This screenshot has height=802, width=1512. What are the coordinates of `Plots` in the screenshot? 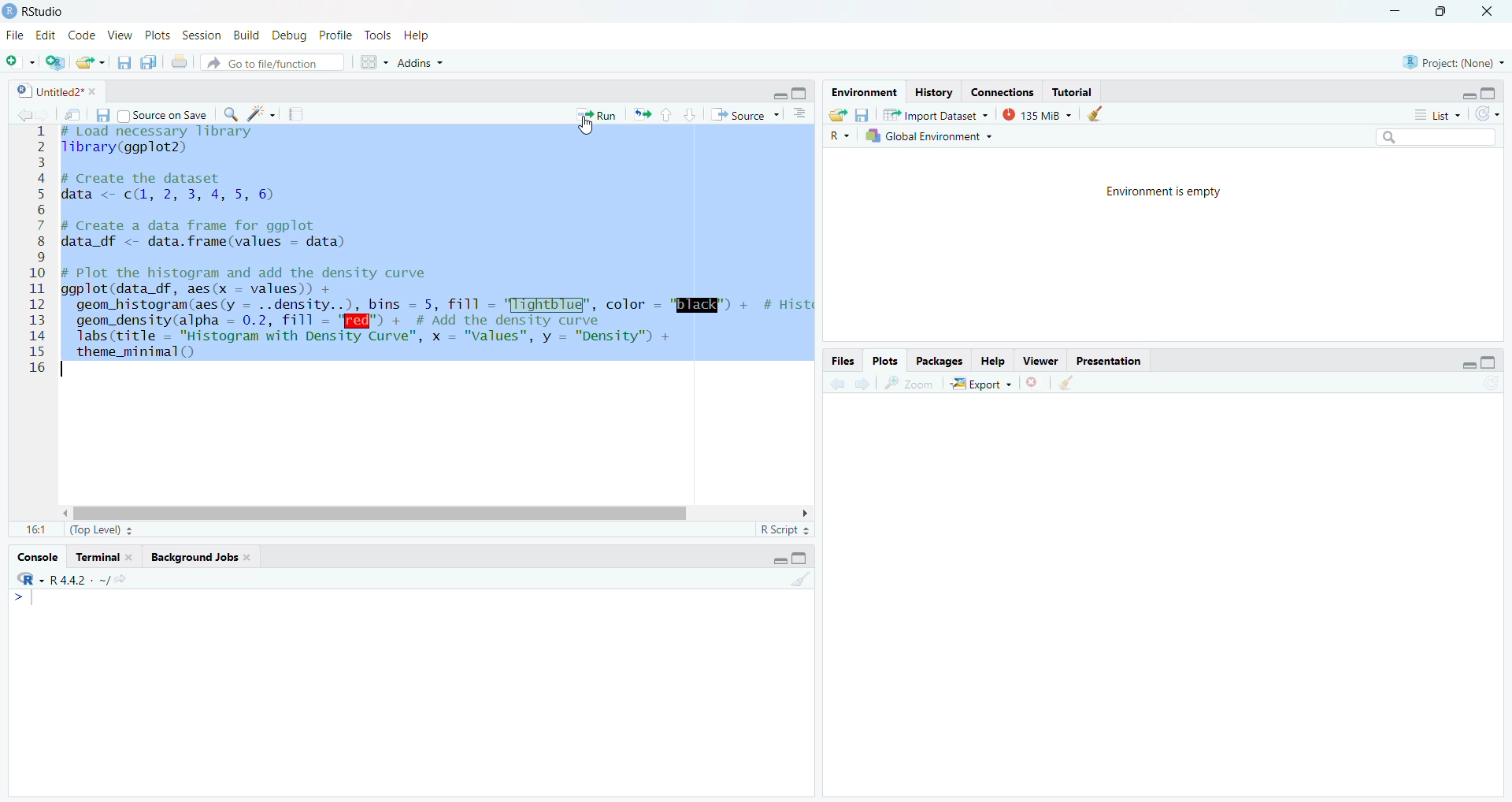 It's located at (157, 35).